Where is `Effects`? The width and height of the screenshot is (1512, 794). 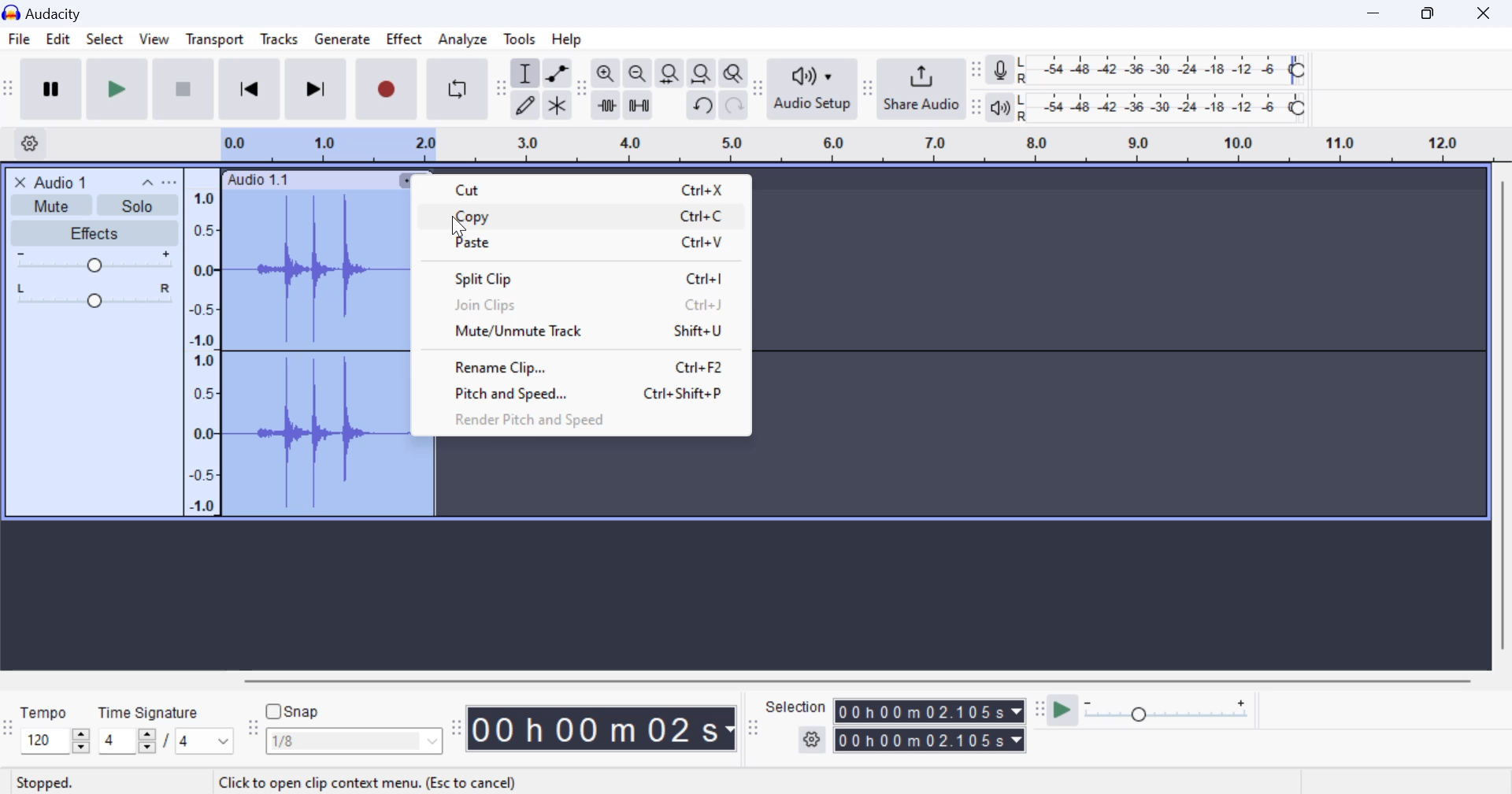
Effects is located at coordinates (93, 233).